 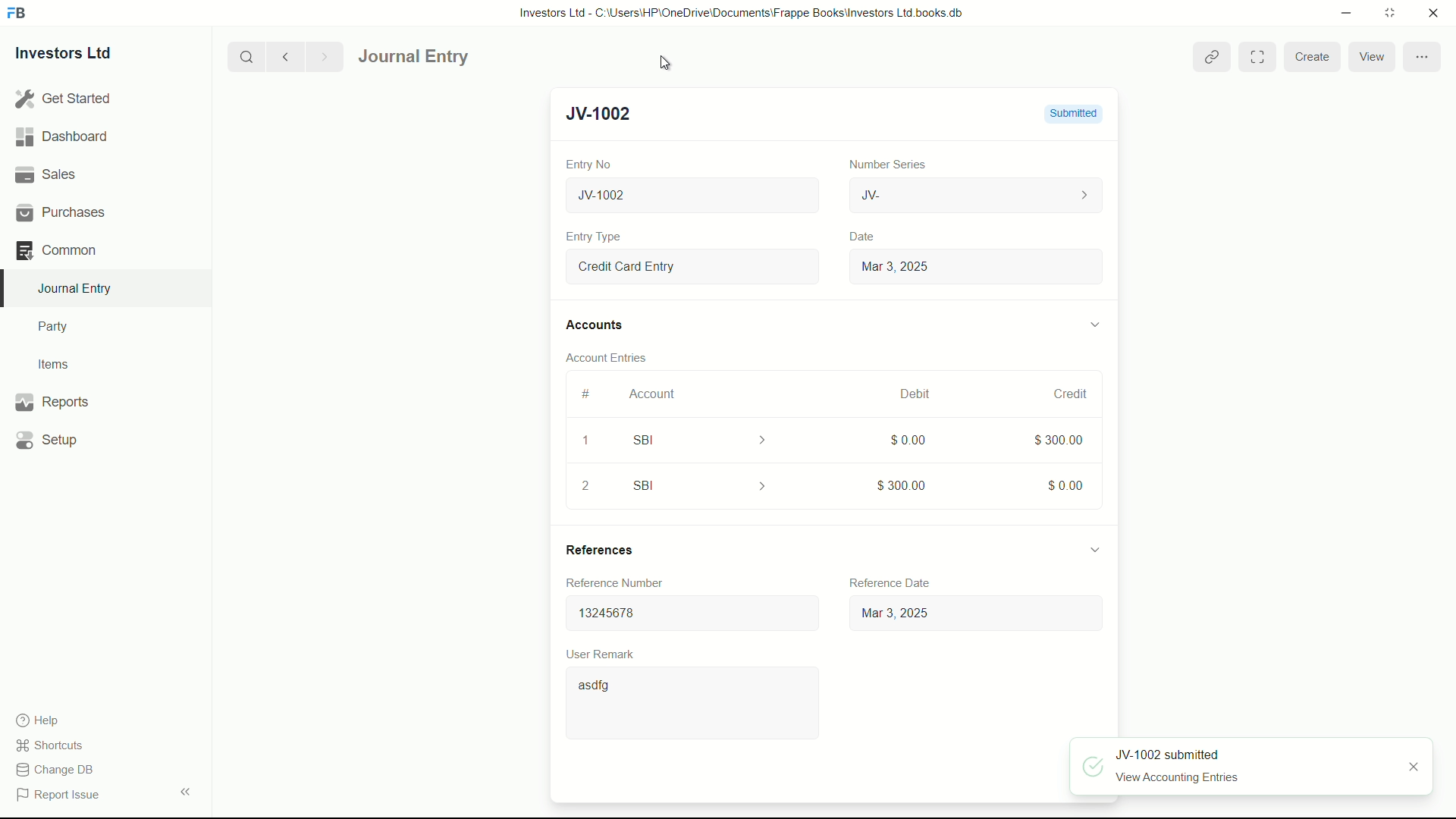 I want to click on Reports ., so click(x=52, y=400).